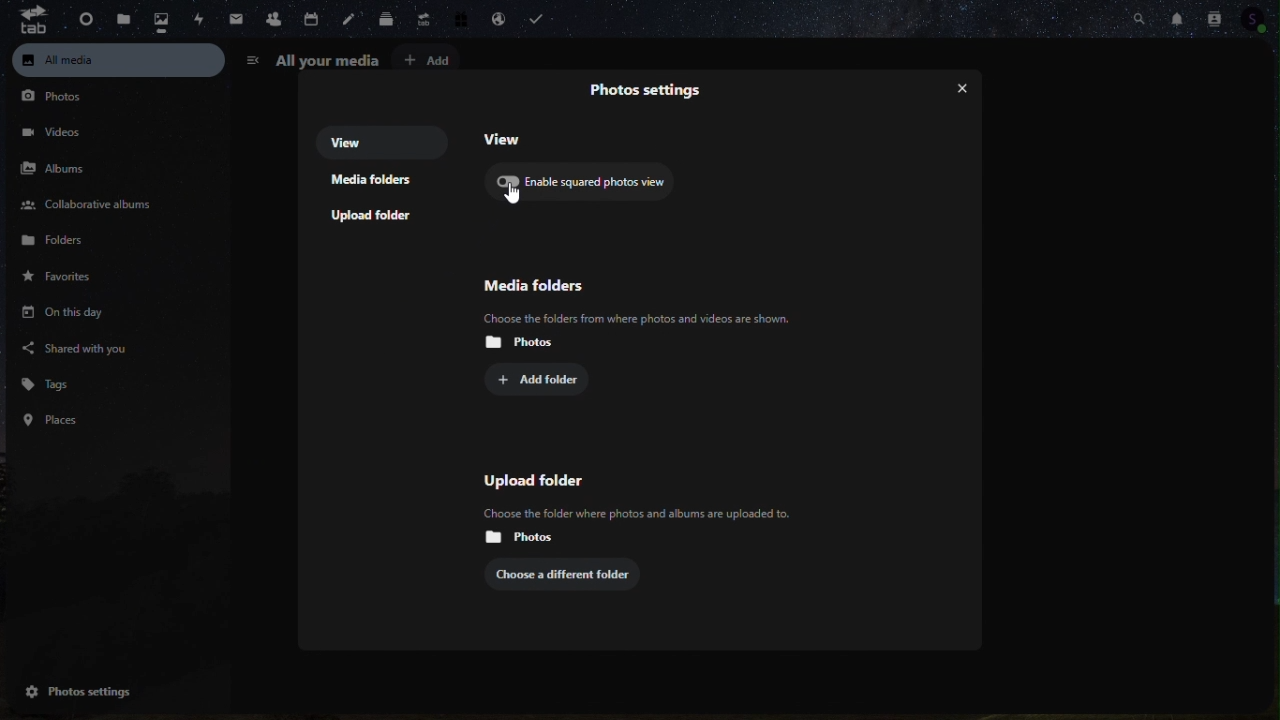  I want to click on All media , so click(118, 60).